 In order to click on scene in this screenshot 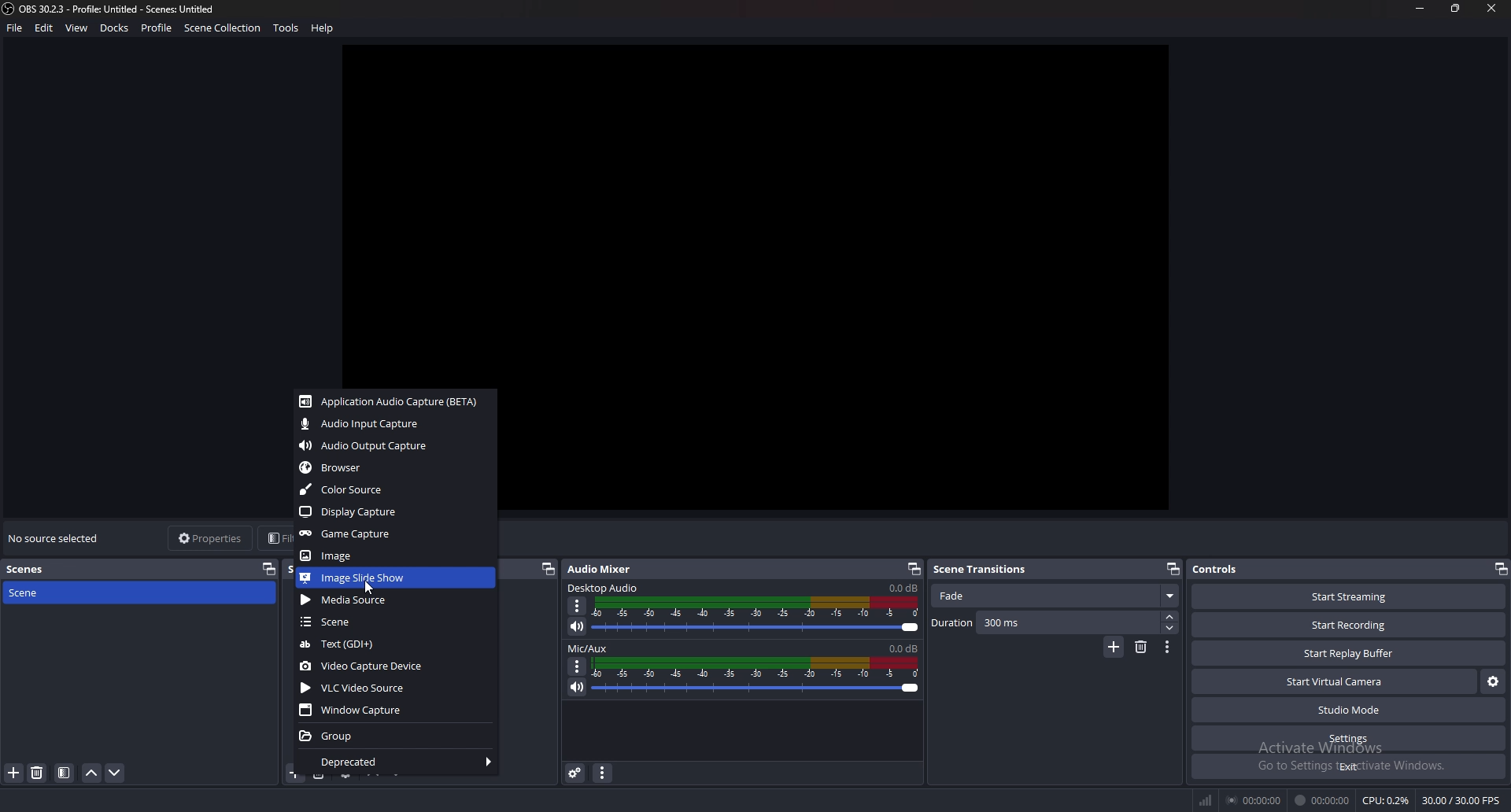, I will do `click(54, 593)`.